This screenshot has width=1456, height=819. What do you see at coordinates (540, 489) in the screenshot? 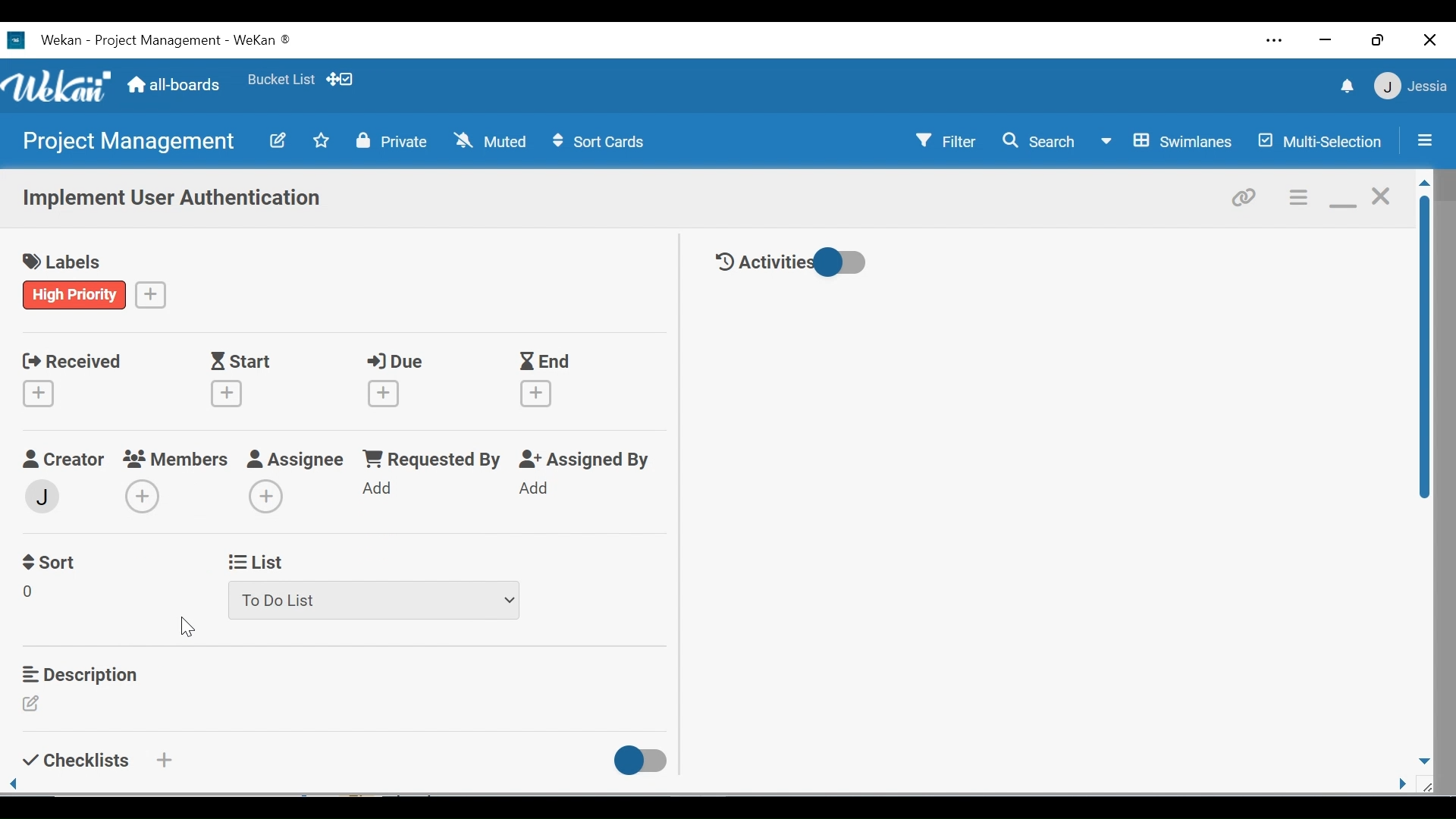
I see `add` at bounding box center [540, 489].